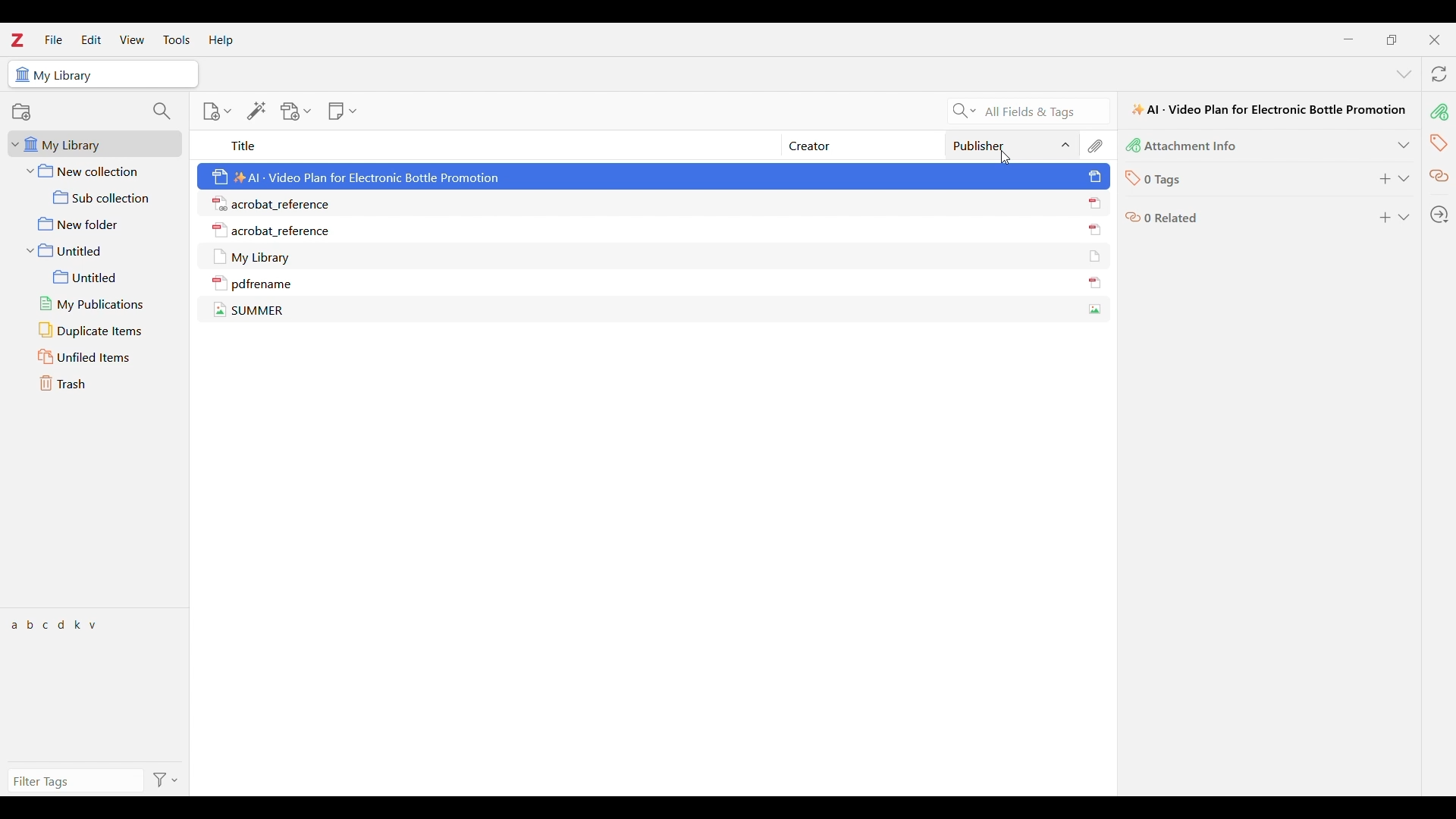 The height and width of the screenshot is (819, 1456). I want to click on Filter collections, so click(161, 111).